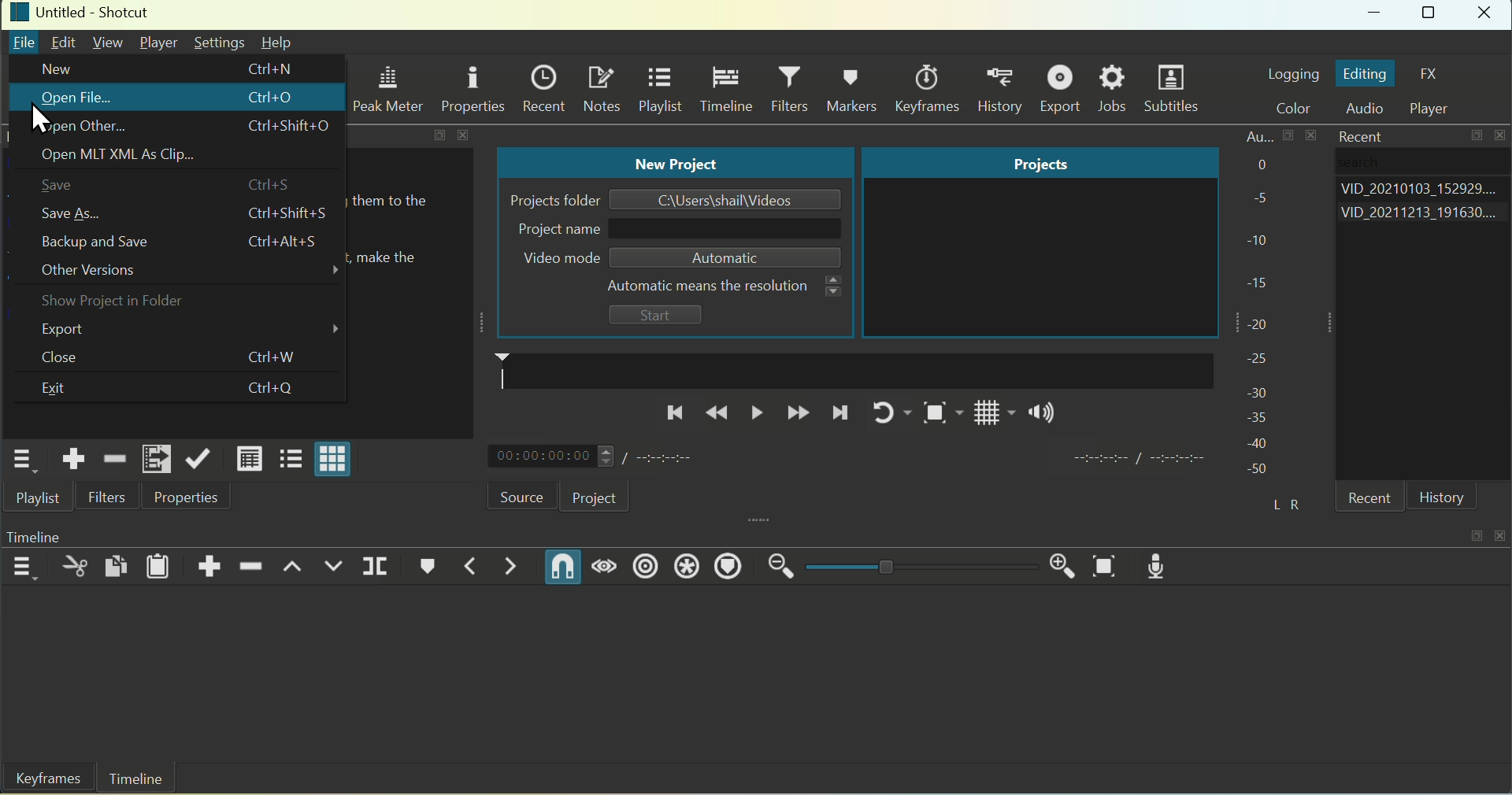 Image resolution: width=1512 pixels, height=795 pixels. I want to click on Properties, so click(184, 497).